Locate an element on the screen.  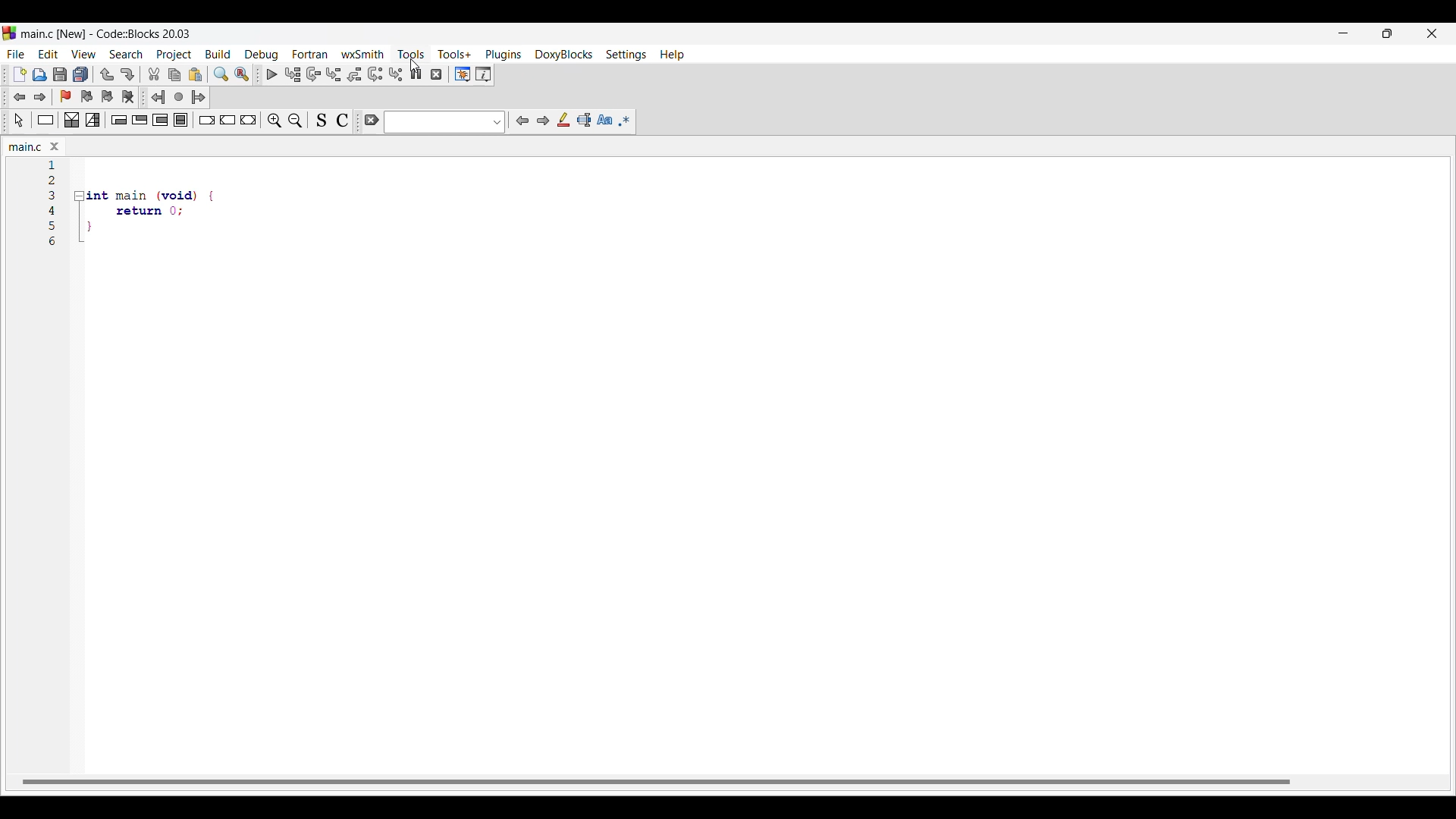
New file is located at coordinates (20, 74).